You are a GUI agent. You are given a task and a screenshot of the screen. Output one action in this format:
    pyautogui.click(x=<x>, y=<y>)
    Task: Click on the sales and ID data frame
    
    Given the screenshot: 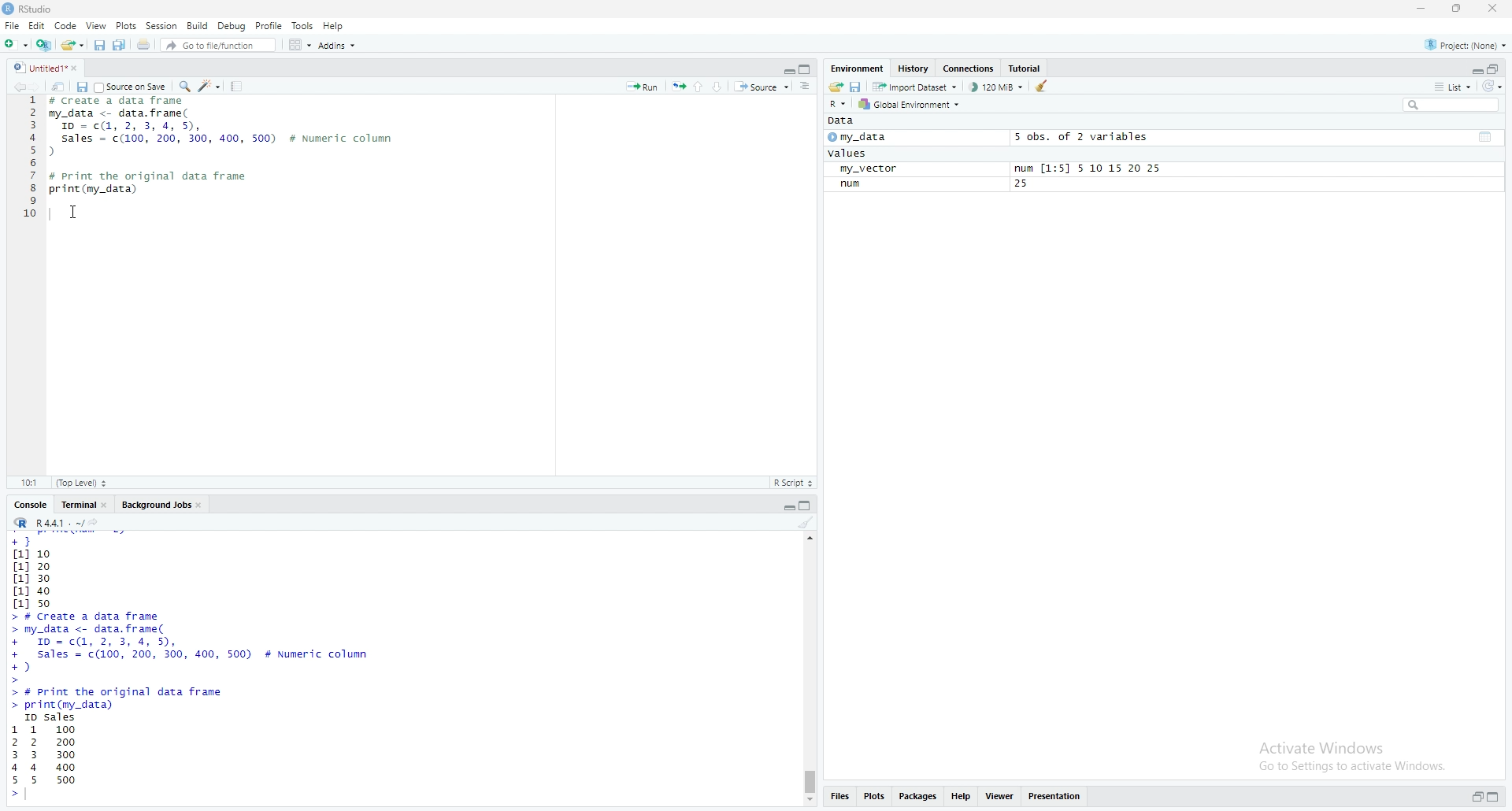 What is the action you would take?
    pyautogui.click(x=224, y=135)
    